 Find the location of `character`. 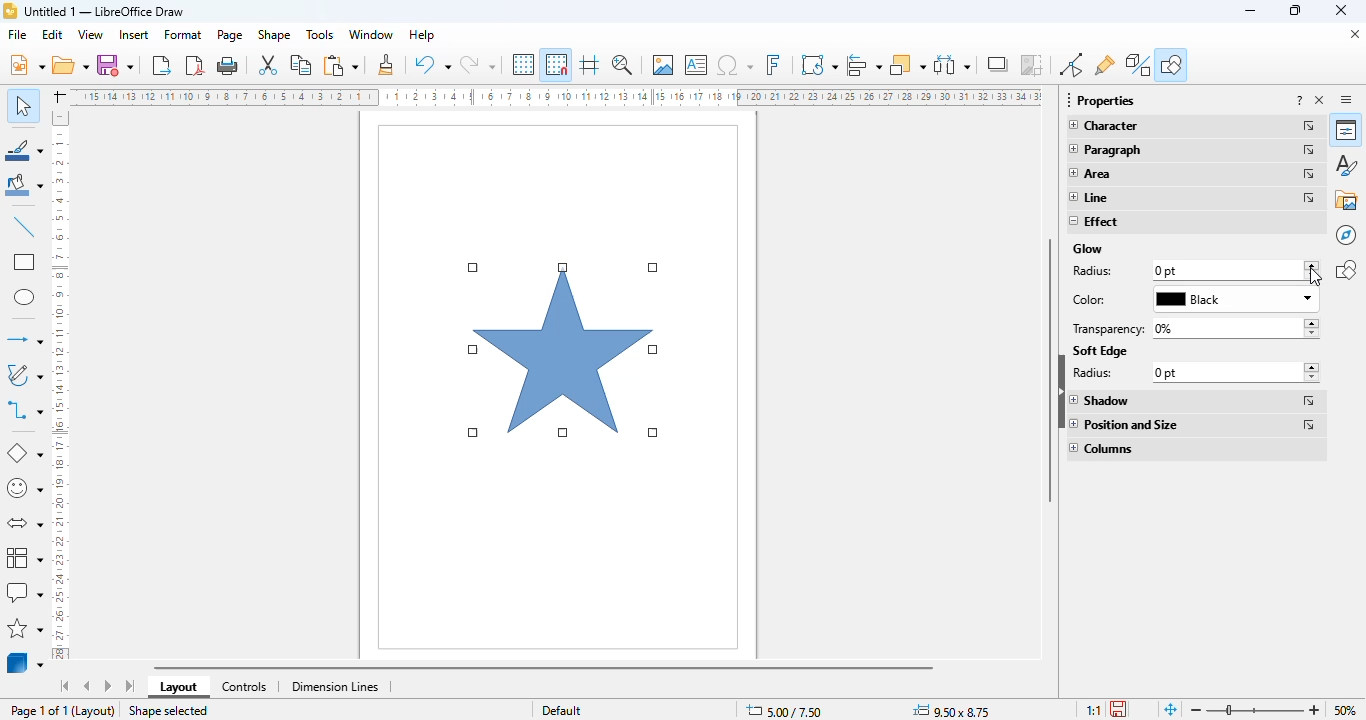

character is located at coordinates (1105, 124).